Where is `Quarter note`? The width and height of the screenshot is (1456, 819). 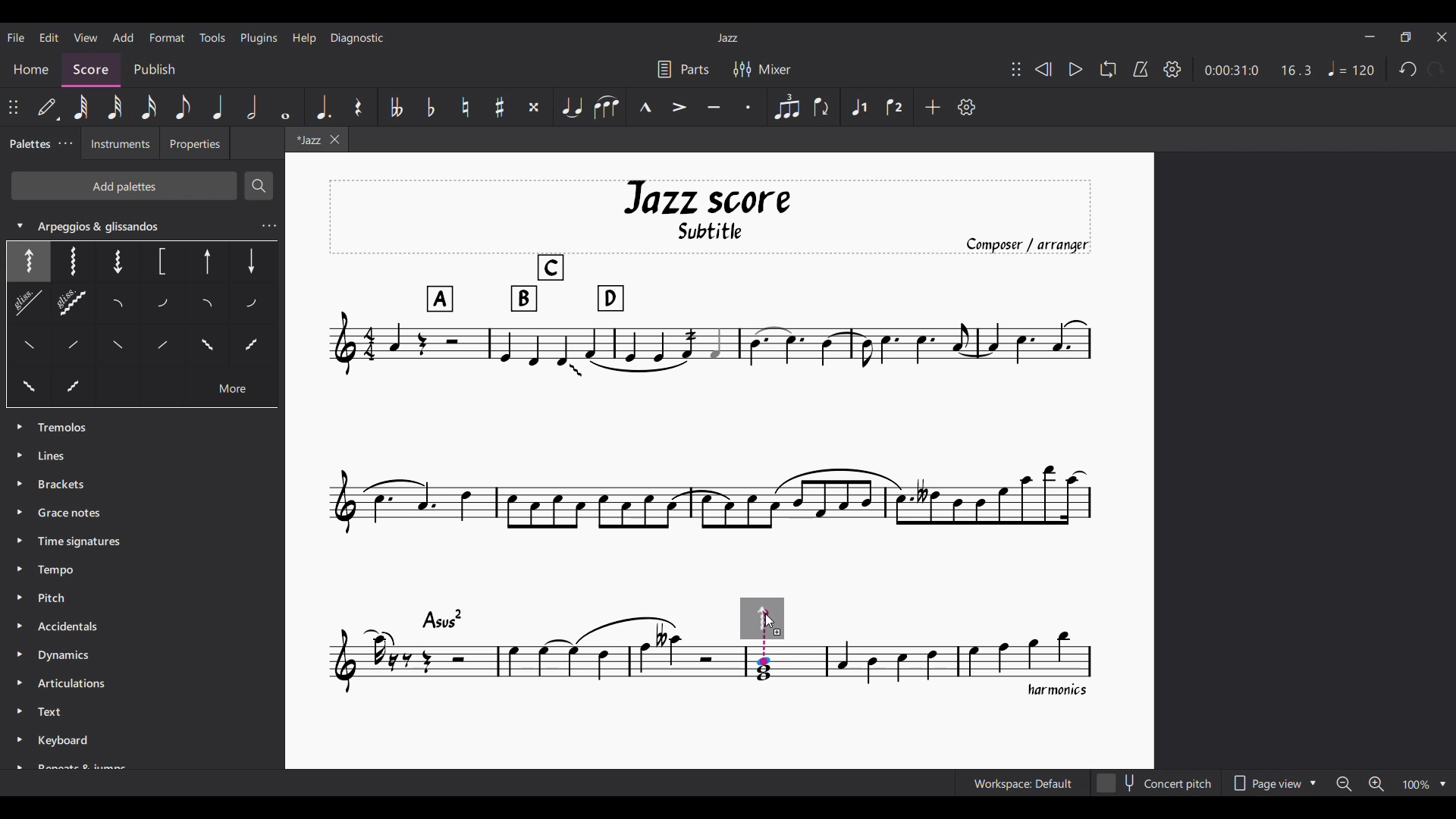
Quarter note is located at coordinates (218, 107).